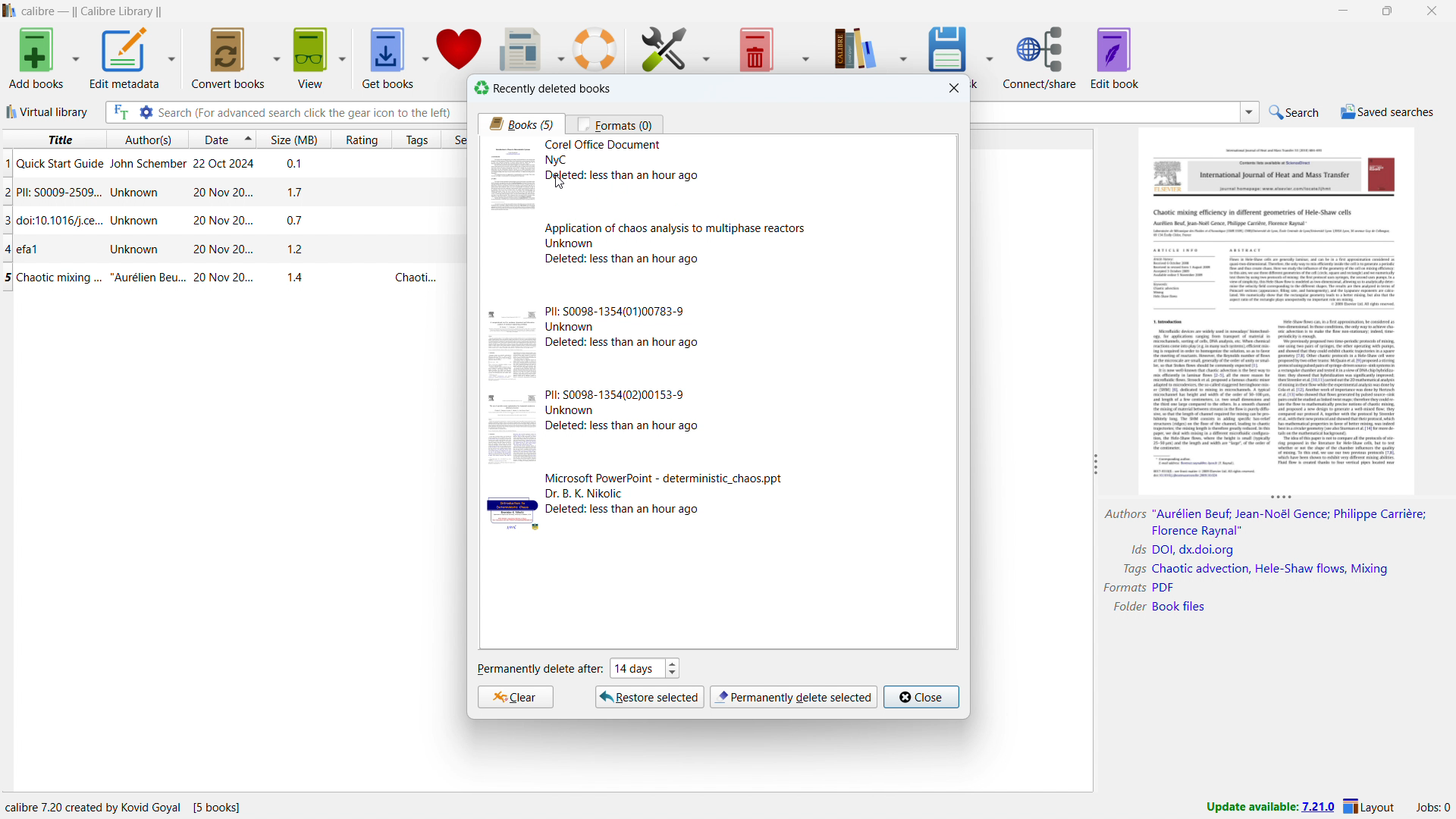  Describe the element at coordinates (519, 47) in the screenshot. I see `fetch news` at that location.